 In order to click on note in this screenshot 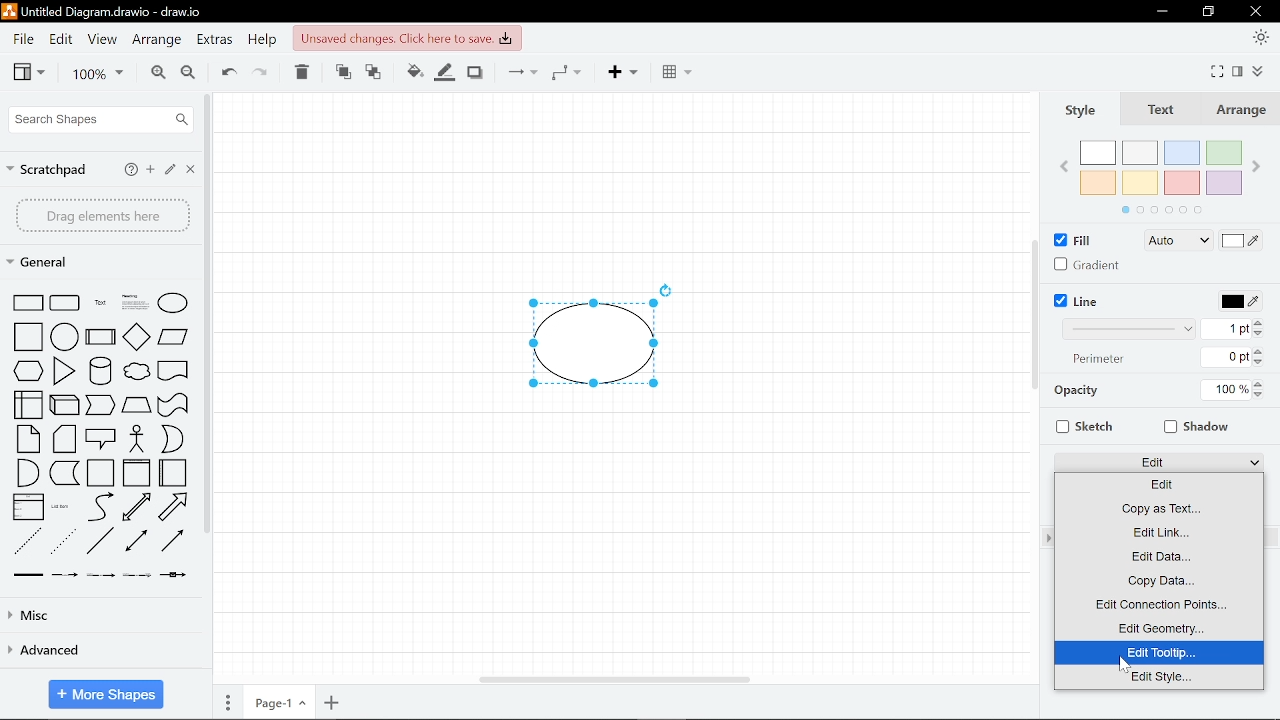, I will do `click(29, 439)`.